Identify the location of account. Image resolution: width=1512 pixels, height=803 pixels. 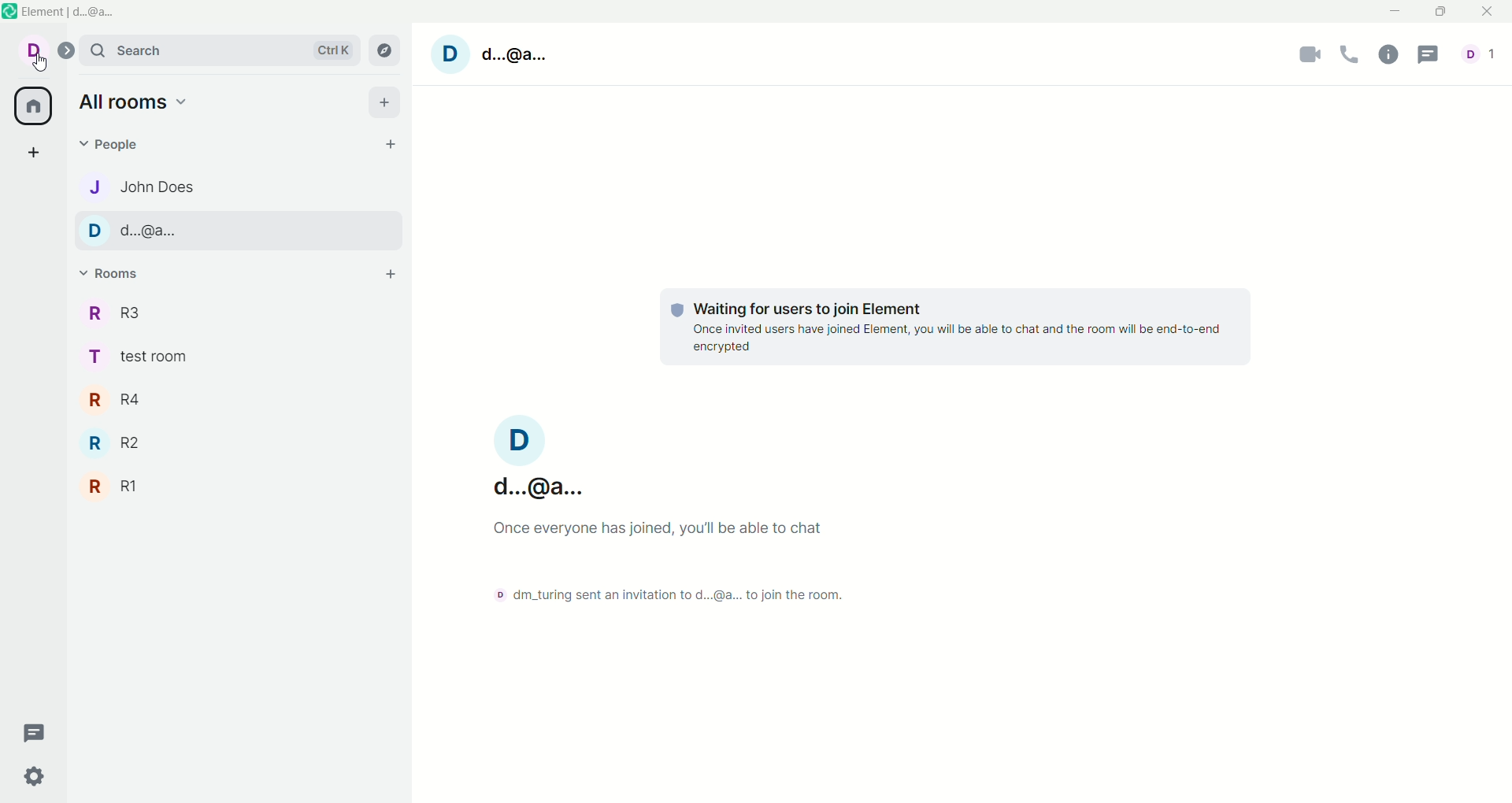
(42, 54).